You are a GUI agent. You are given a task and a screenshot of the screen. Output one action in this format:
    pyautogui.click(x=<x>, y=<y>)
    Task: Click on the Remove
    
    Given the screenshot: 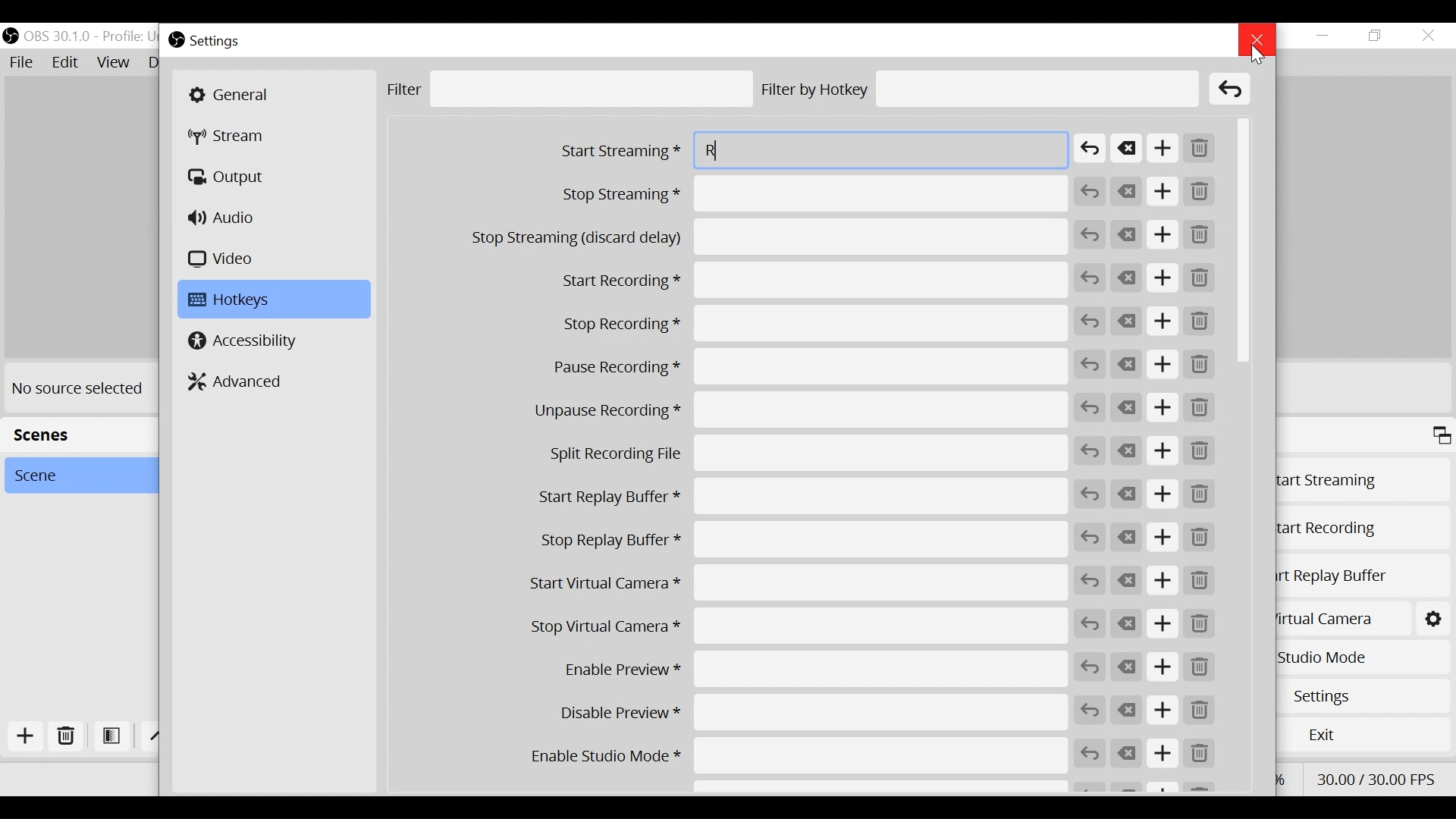 What is the action you would take?
    pyautogui.click(x=1203, y=278)
    